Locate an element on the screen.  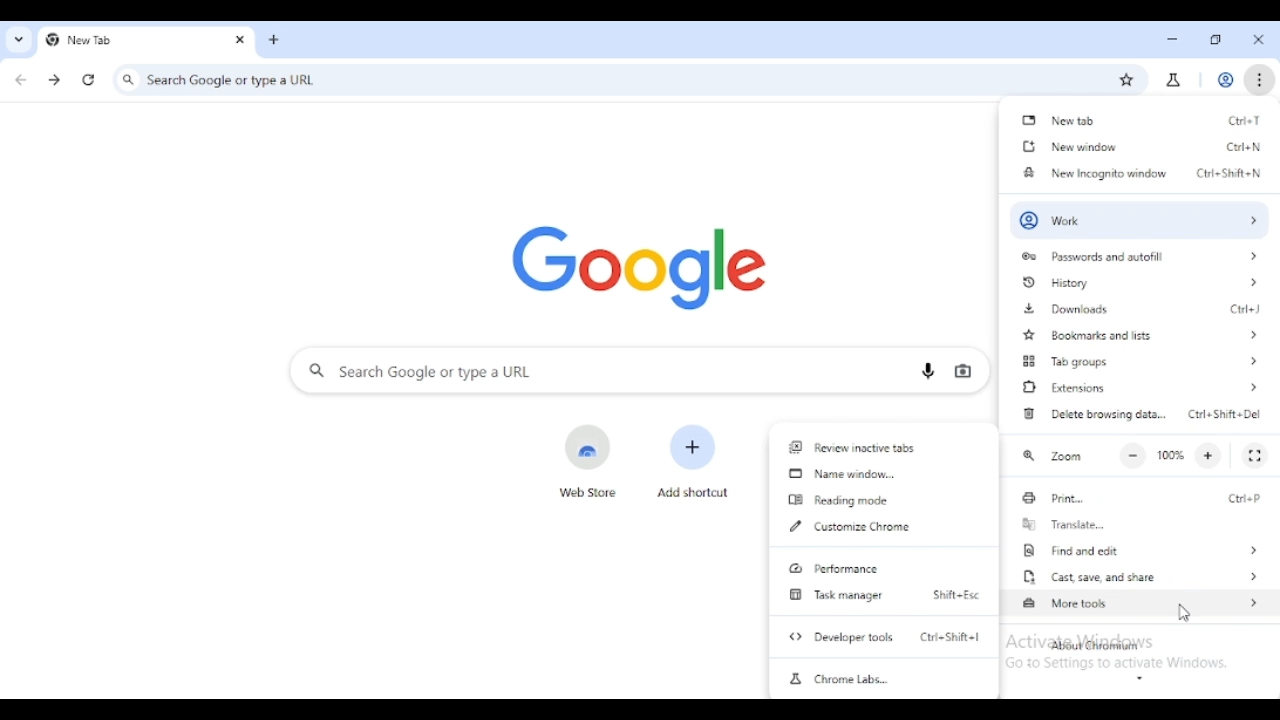
click to go forward is located at coordinates (54, 80).